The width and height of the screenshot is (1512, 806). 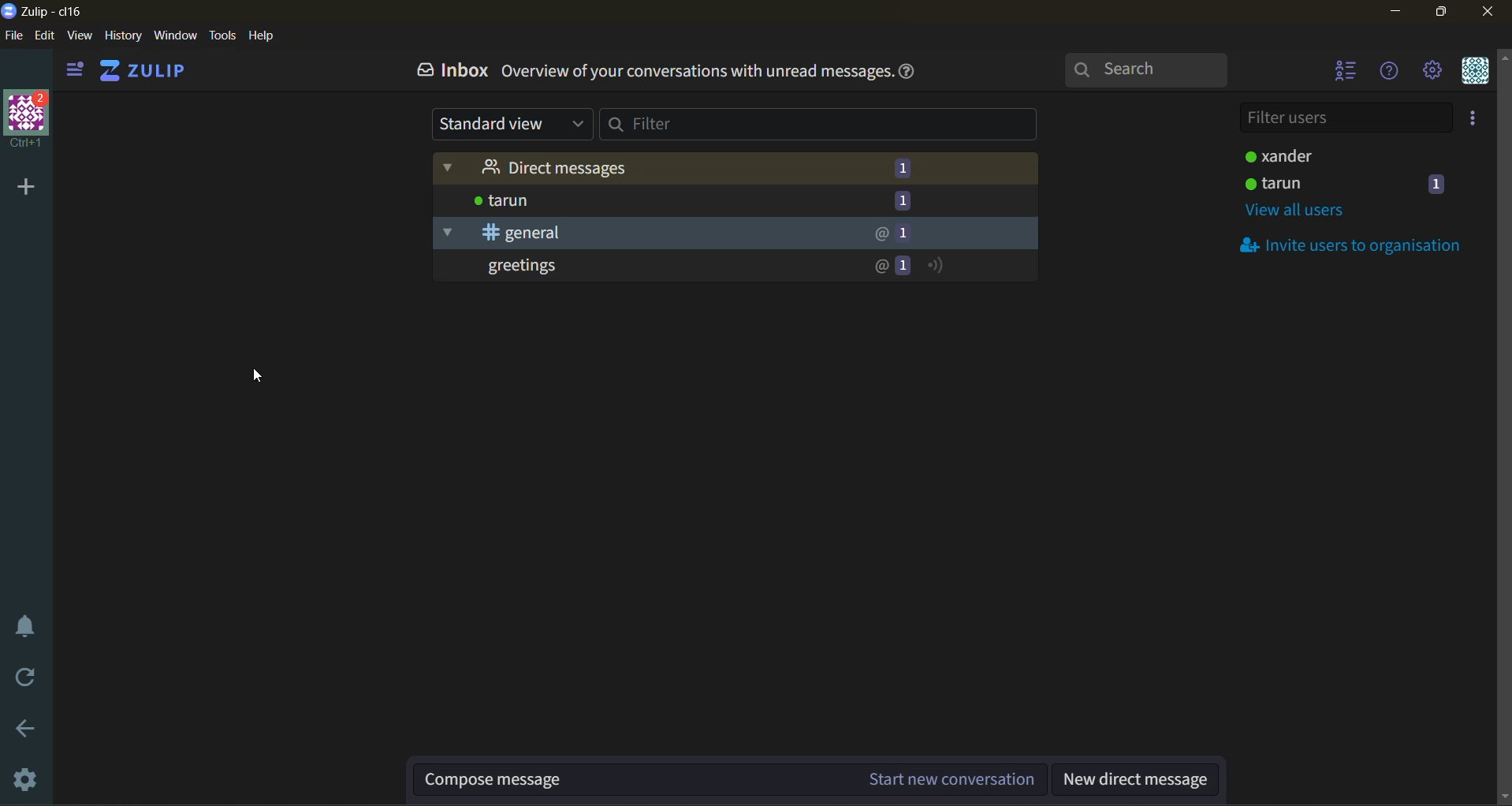 I want to click on personal menu, so click(x=1474, y=71).